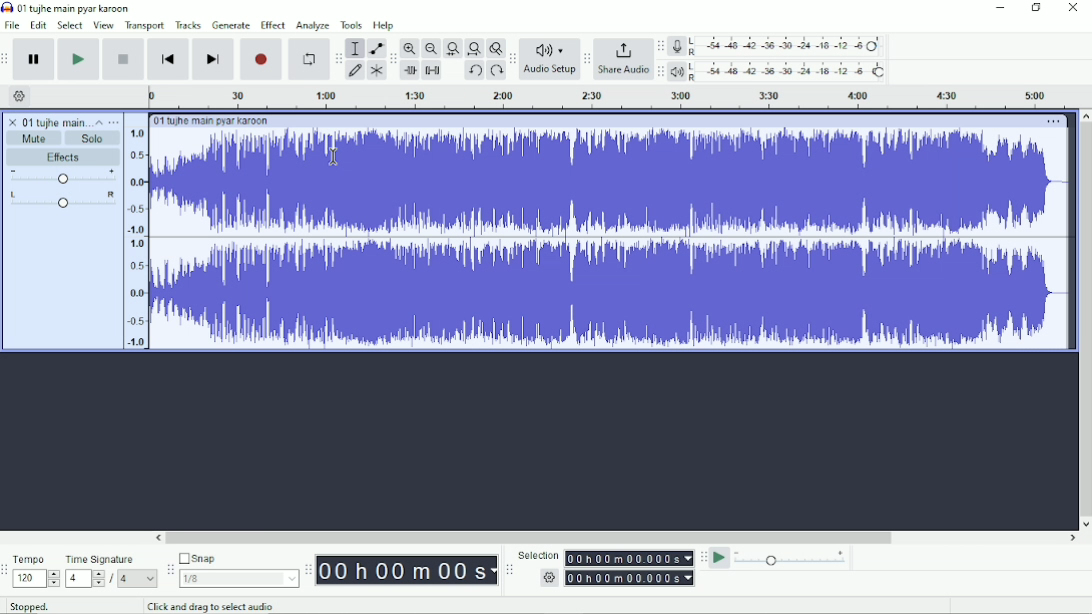  I want to click on Enable looping, so click(309, 58).